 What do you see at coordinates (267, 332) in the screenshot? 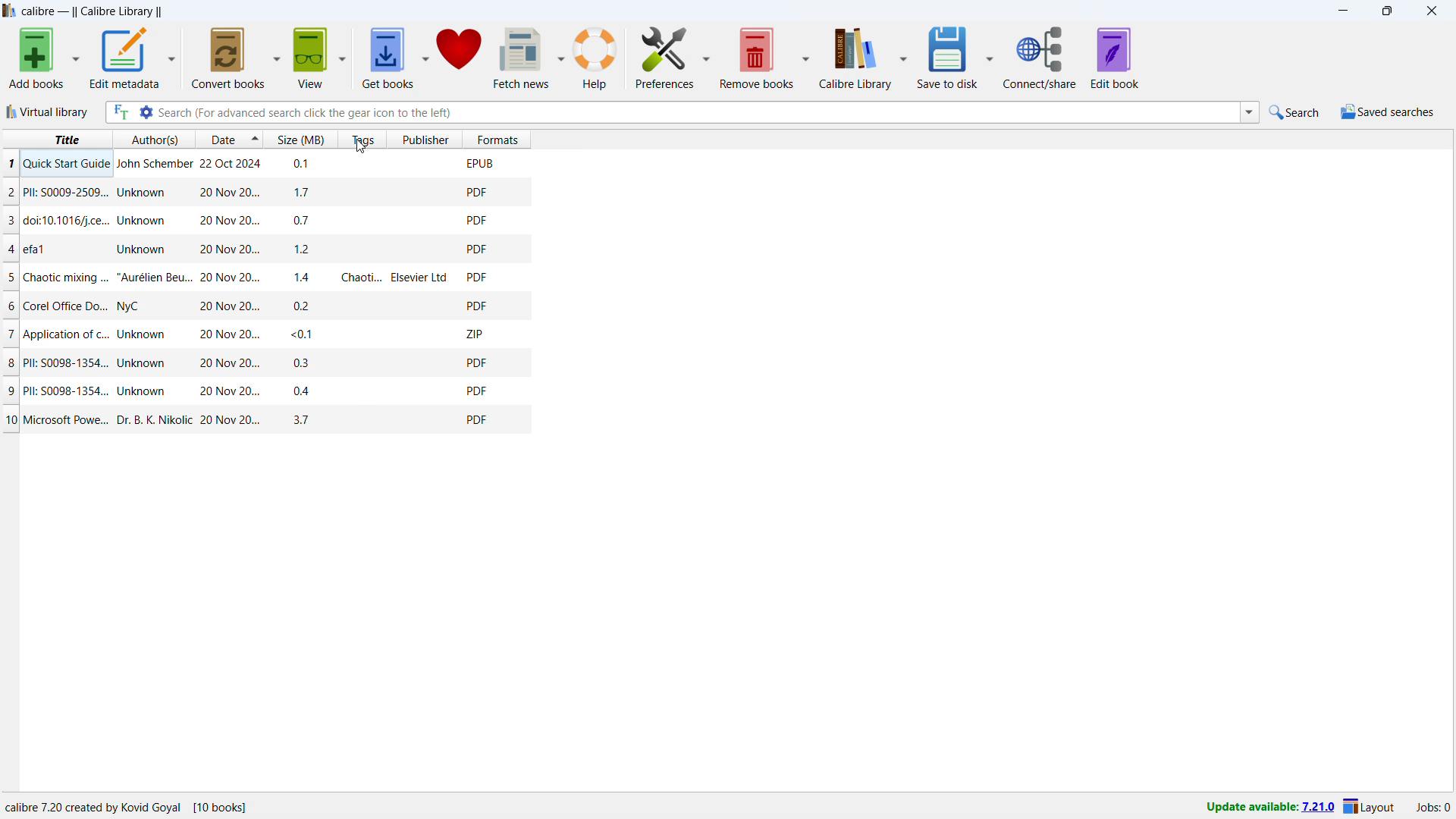
I see `7 Application of c... Unknown 20 Nov 20... <0.1 ZIP` at bounding box center [267, 332].